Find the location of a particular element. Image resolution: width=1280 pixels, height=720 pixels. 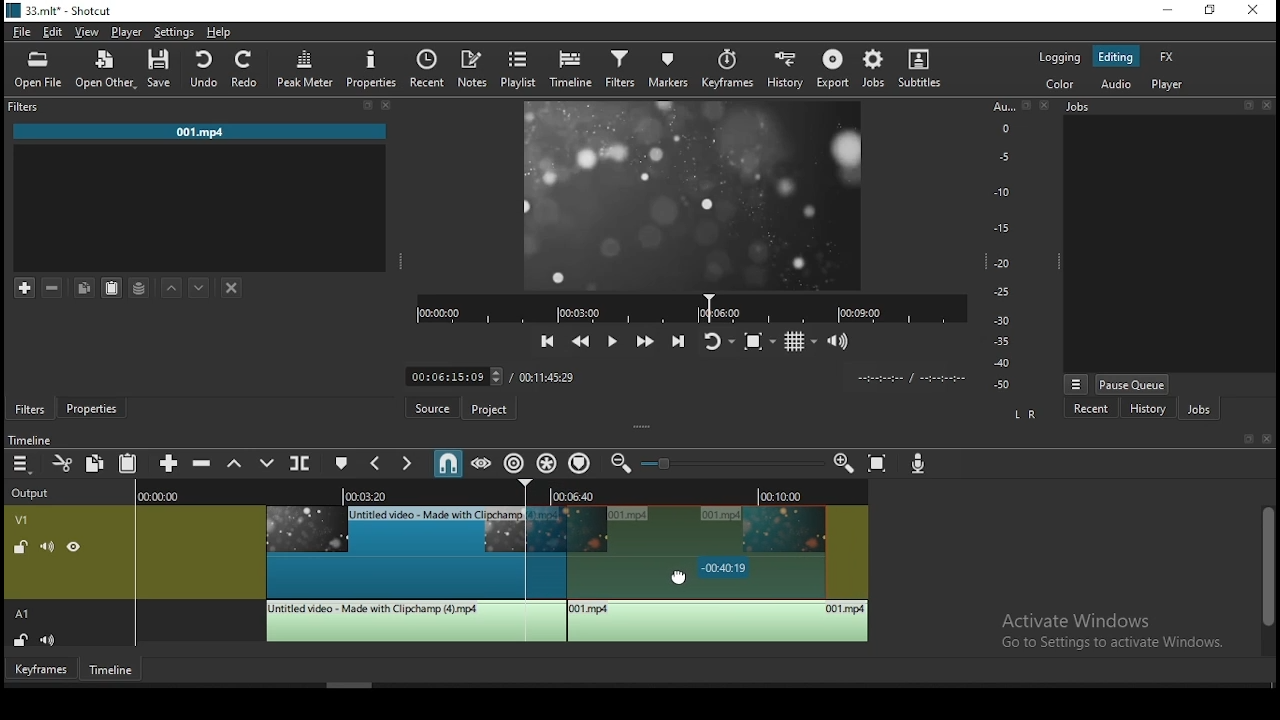

next marker is located at coordinates (406, 464).